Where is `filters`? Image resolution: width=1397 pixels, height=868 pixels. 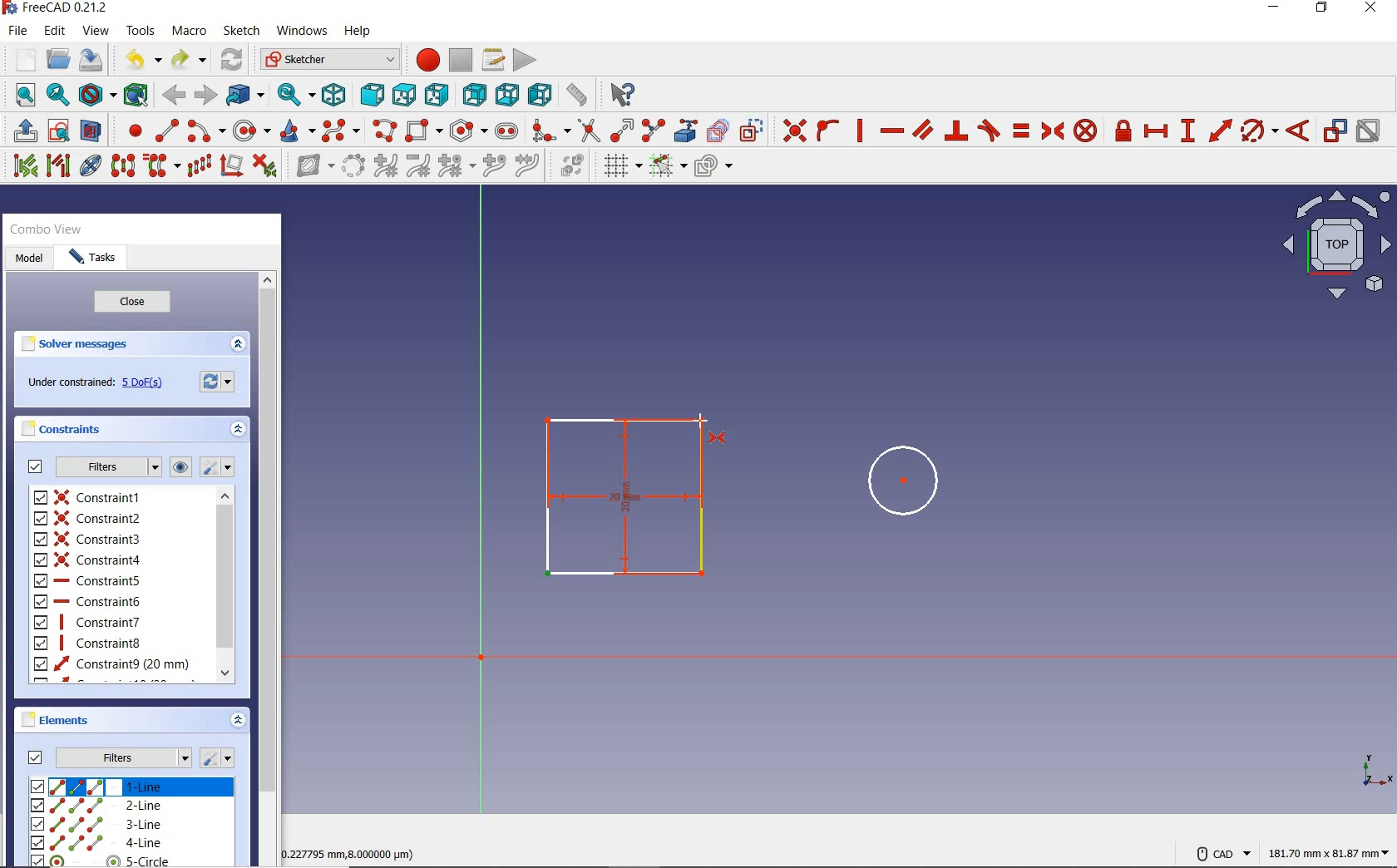 filters is located at coordinates (111, 467).